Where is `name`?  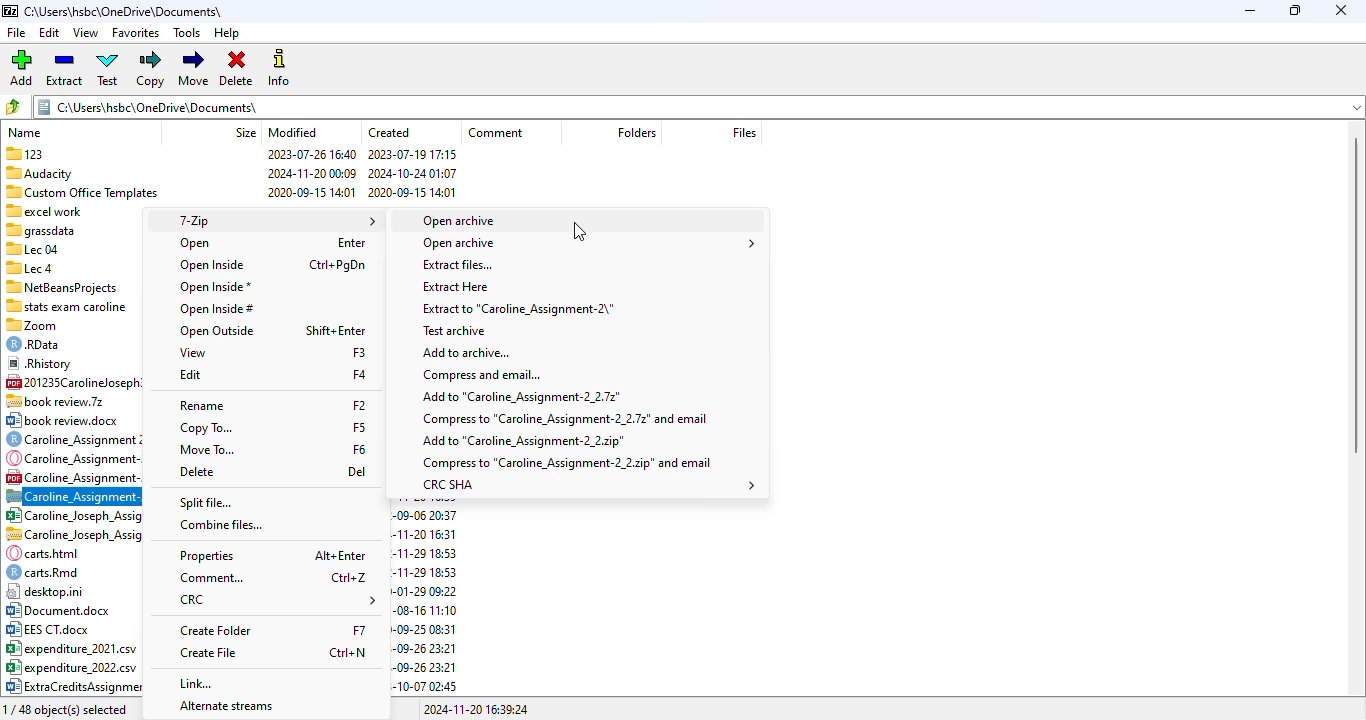
name is located at coordinates (25, 133).